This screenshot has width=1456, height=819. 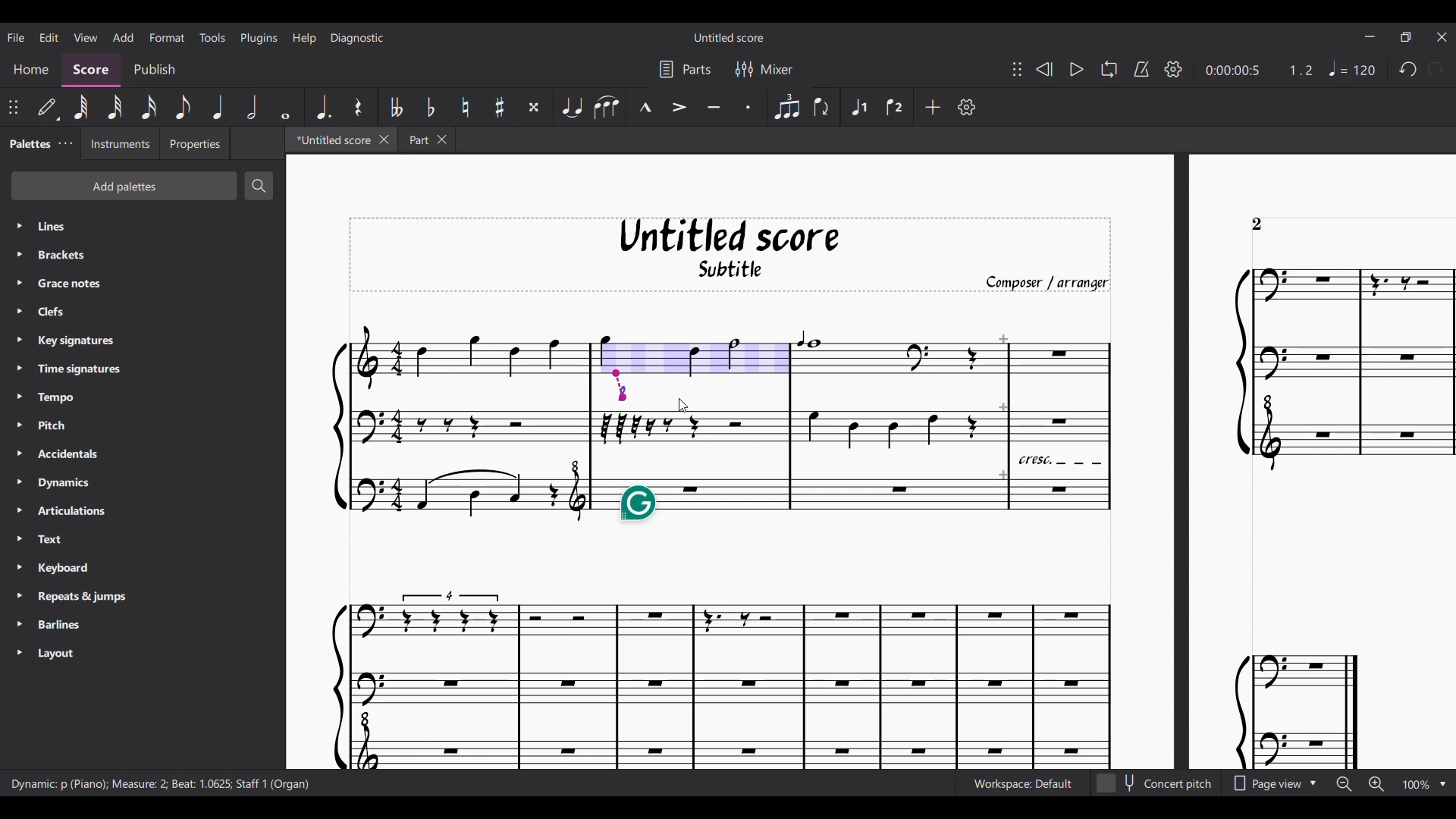 What do you see at coordinates (194, 143) in the screenshot?
I see `Properties tab` at bounding box center [194, 143].